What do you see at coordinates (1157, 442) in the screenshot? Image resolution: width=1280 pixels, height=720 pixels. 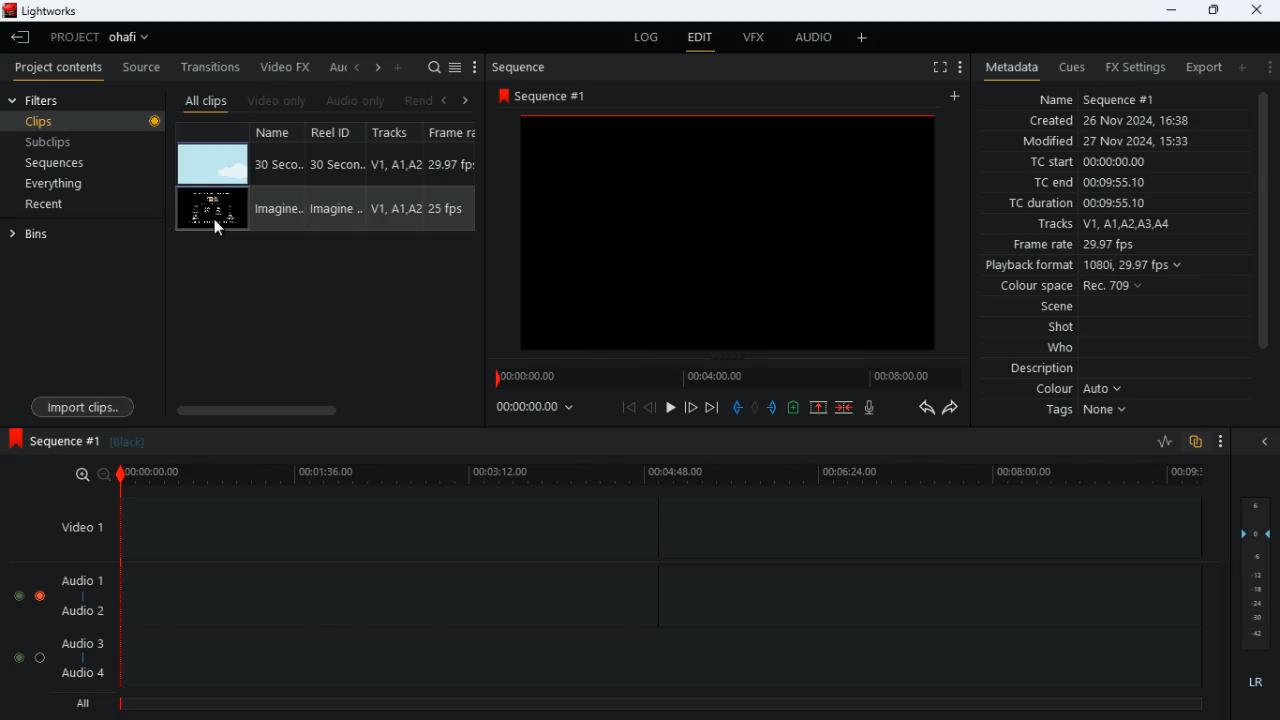 I see `rate` at bounding box center [1157, 442].